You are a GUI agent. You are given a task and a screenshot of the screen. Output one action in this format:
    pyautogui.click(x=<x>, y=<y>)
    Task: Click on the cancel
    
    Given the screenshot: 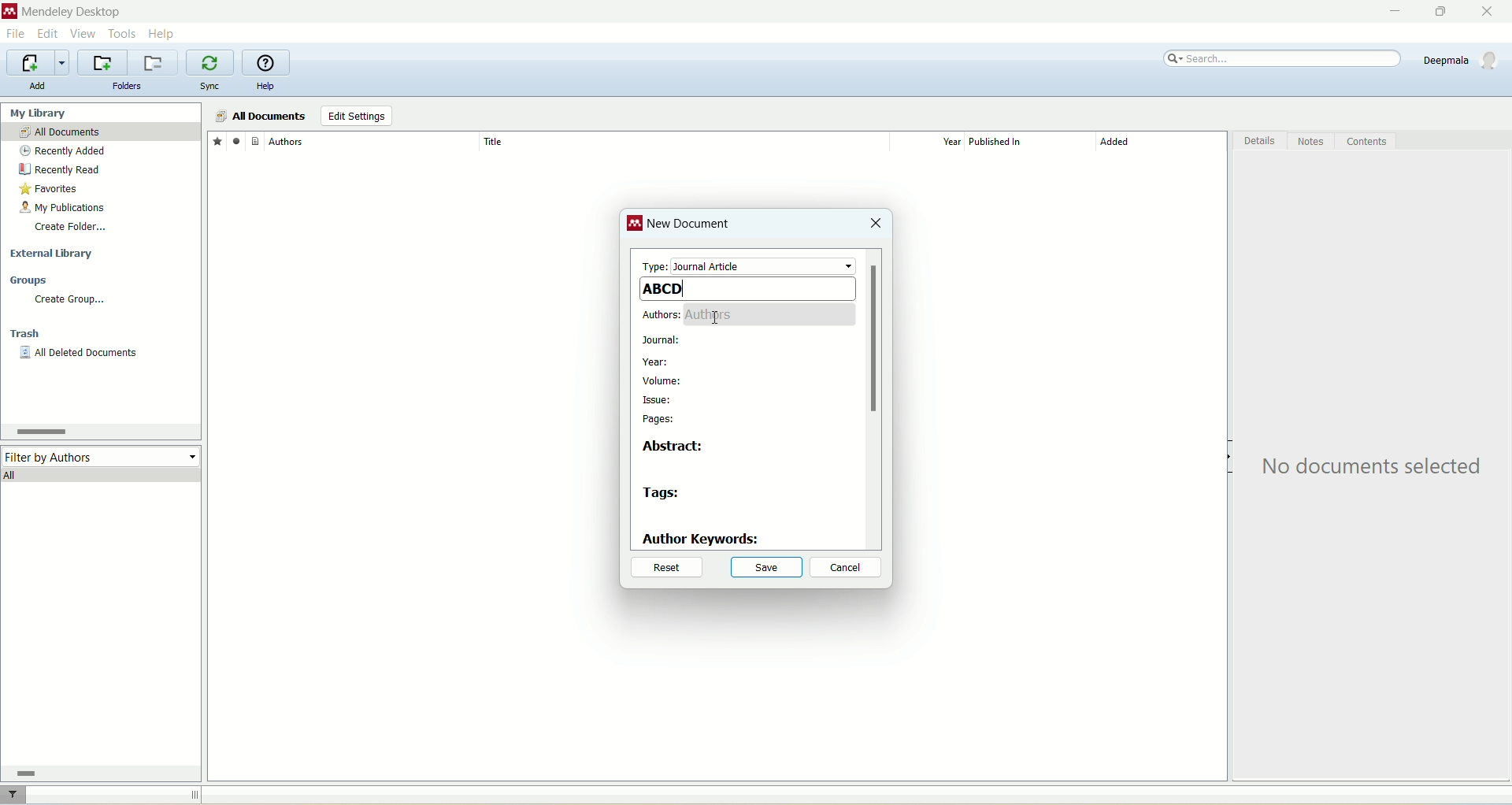 What is the action you would take?
    pyautogui.click(x=847, y=568)
    